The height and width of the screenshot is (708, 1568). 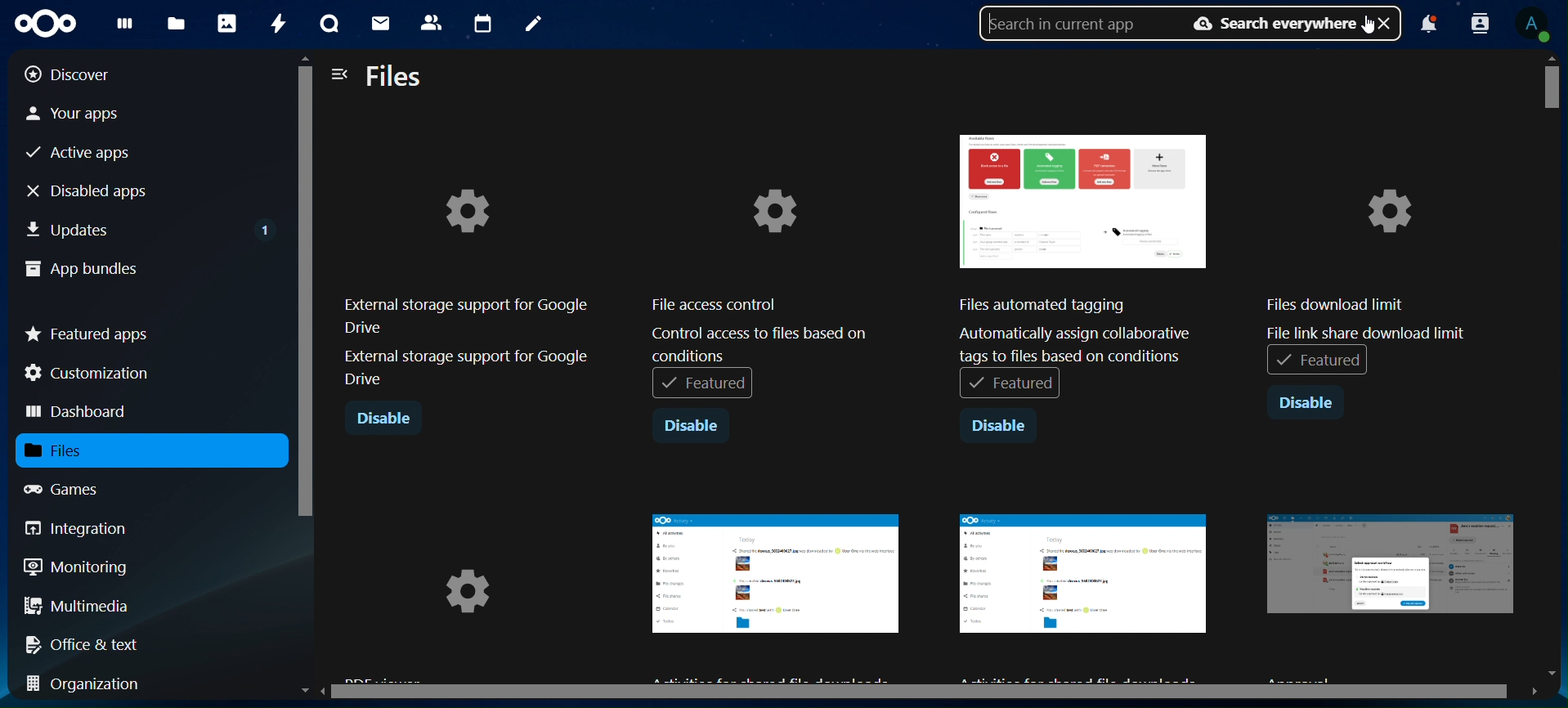 What do you see at coordinates (85, 154) in the screenshot?
I see `active apps` at bounding box center [85, 154].